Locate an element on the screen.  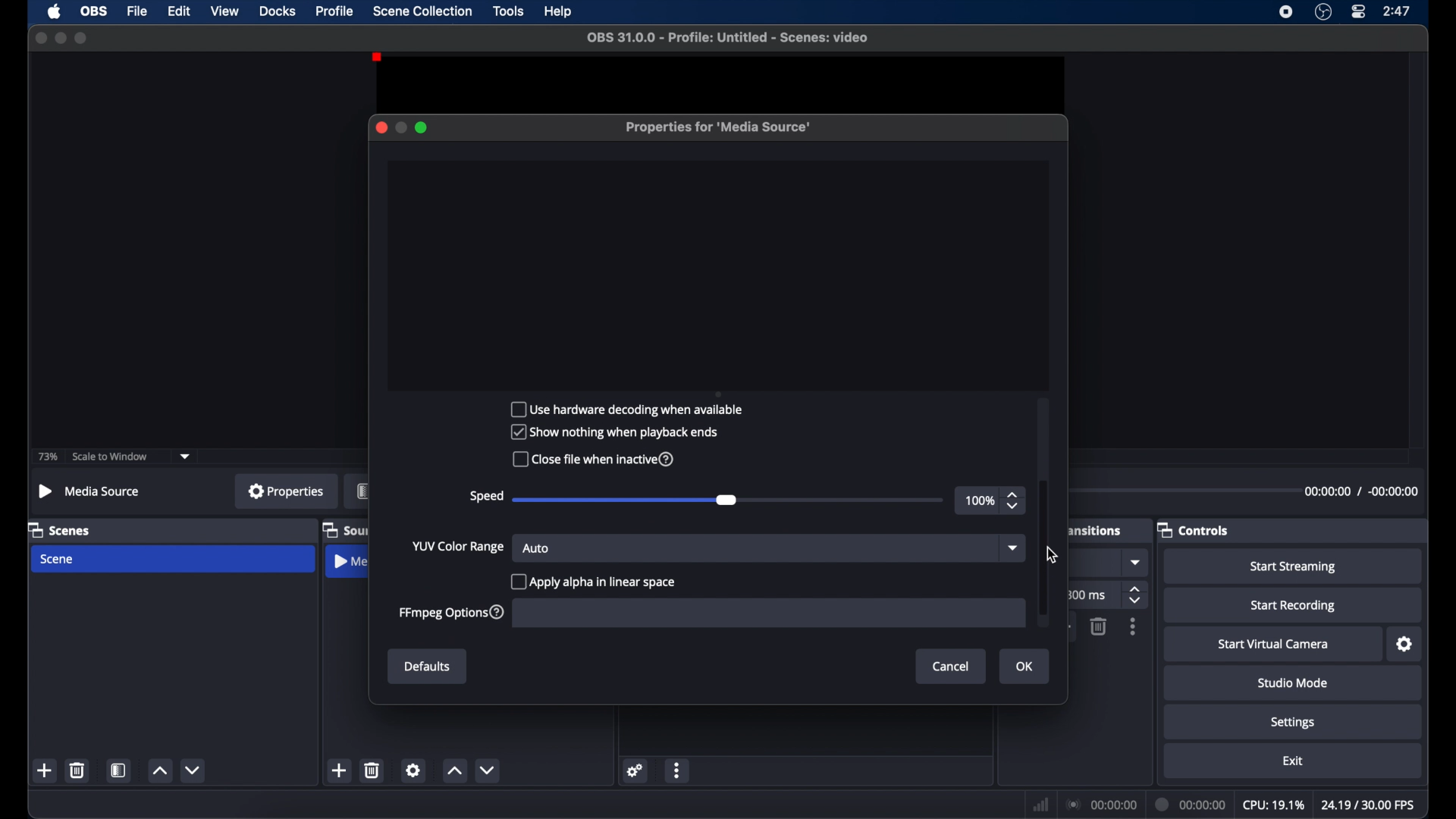
Ok is located at coordinates (1023, 667).